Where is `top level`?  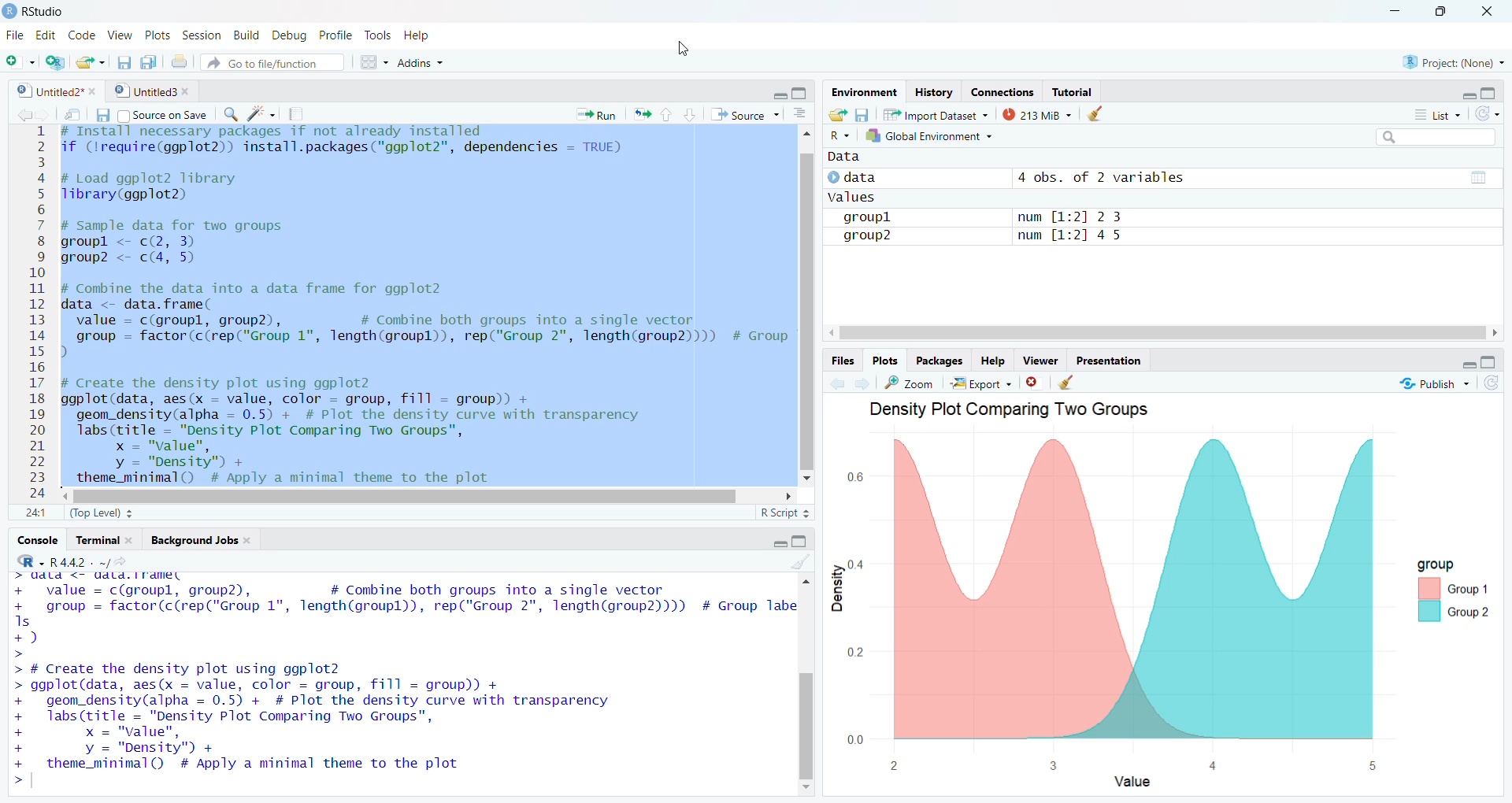 top level is located at coordinates (102, 515).